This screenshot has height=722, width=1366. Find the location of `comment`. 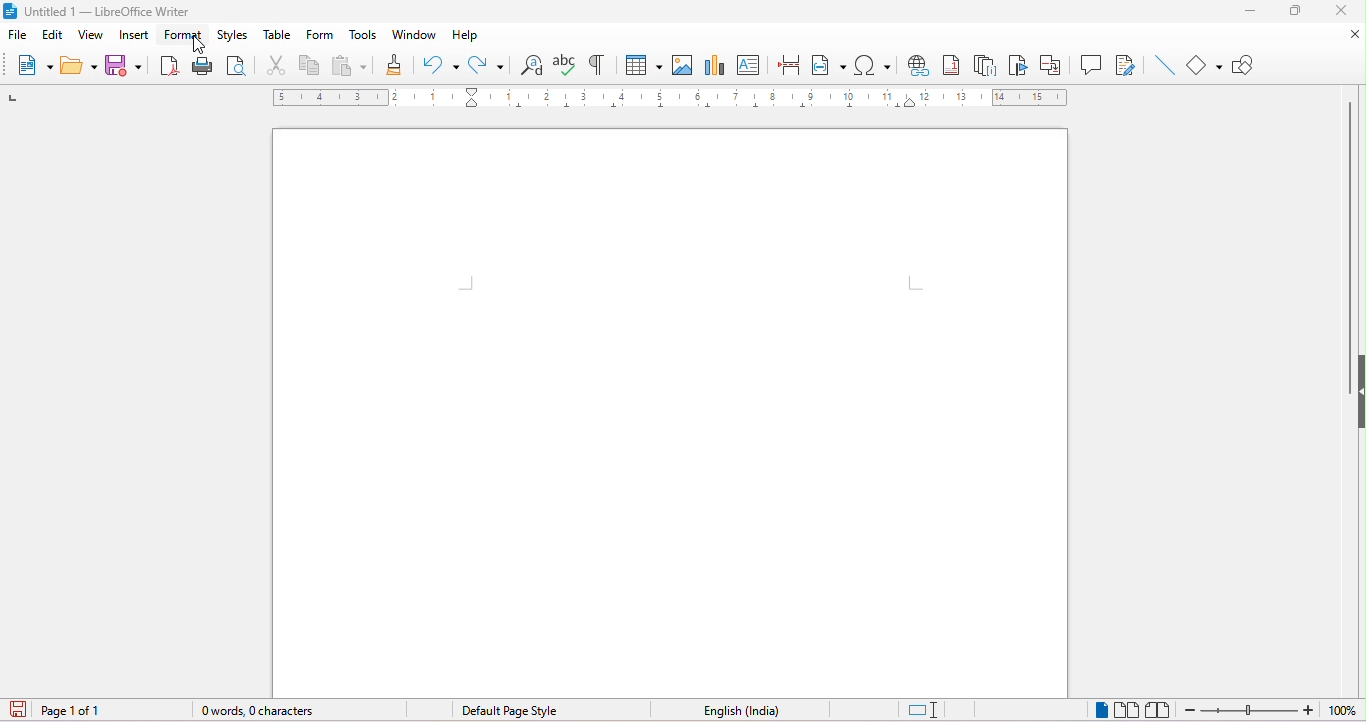

comment is located at coordinates (1092, 64).